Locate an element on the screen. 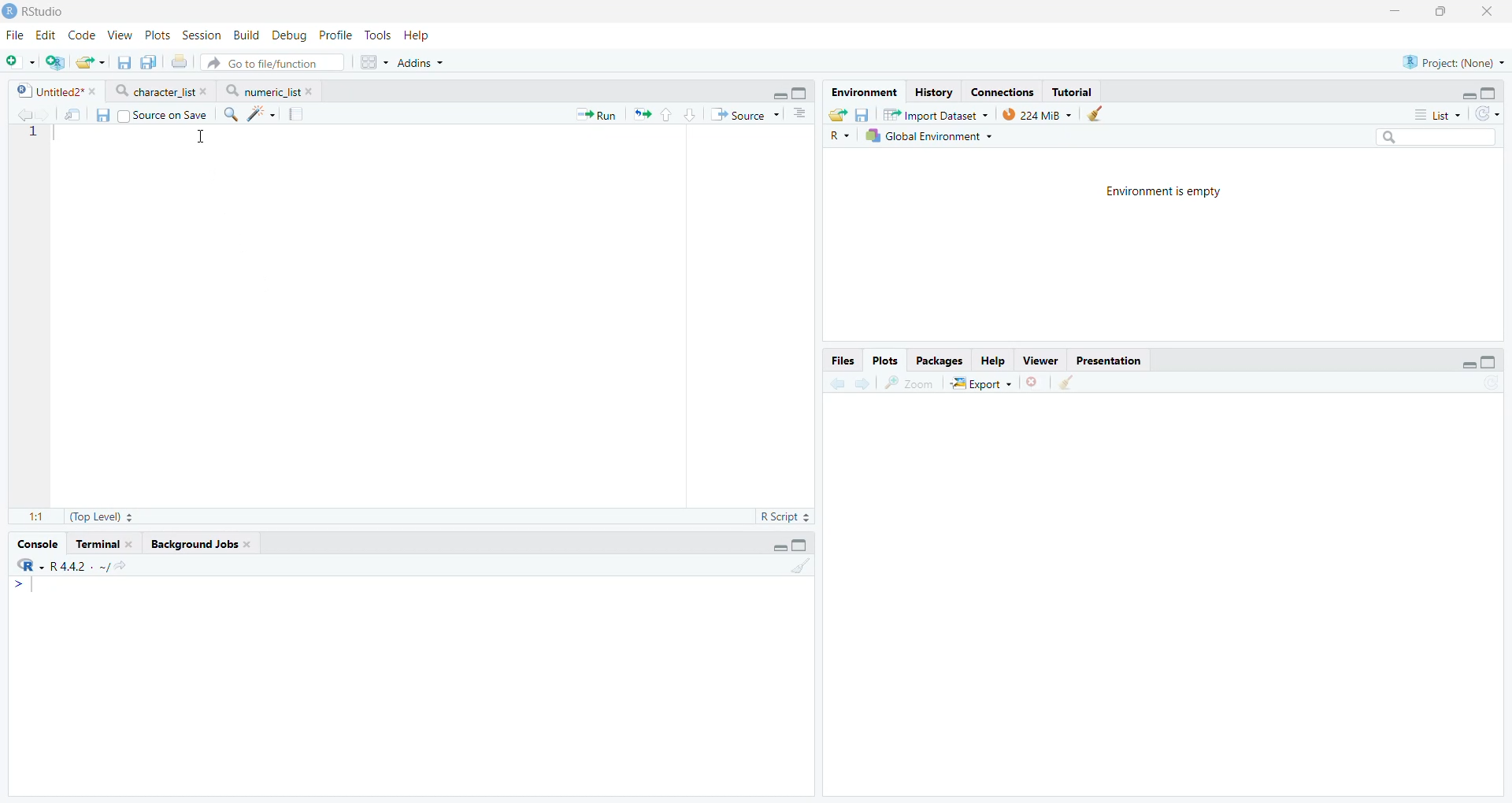  Connections is located at coordinates (1002, 91).